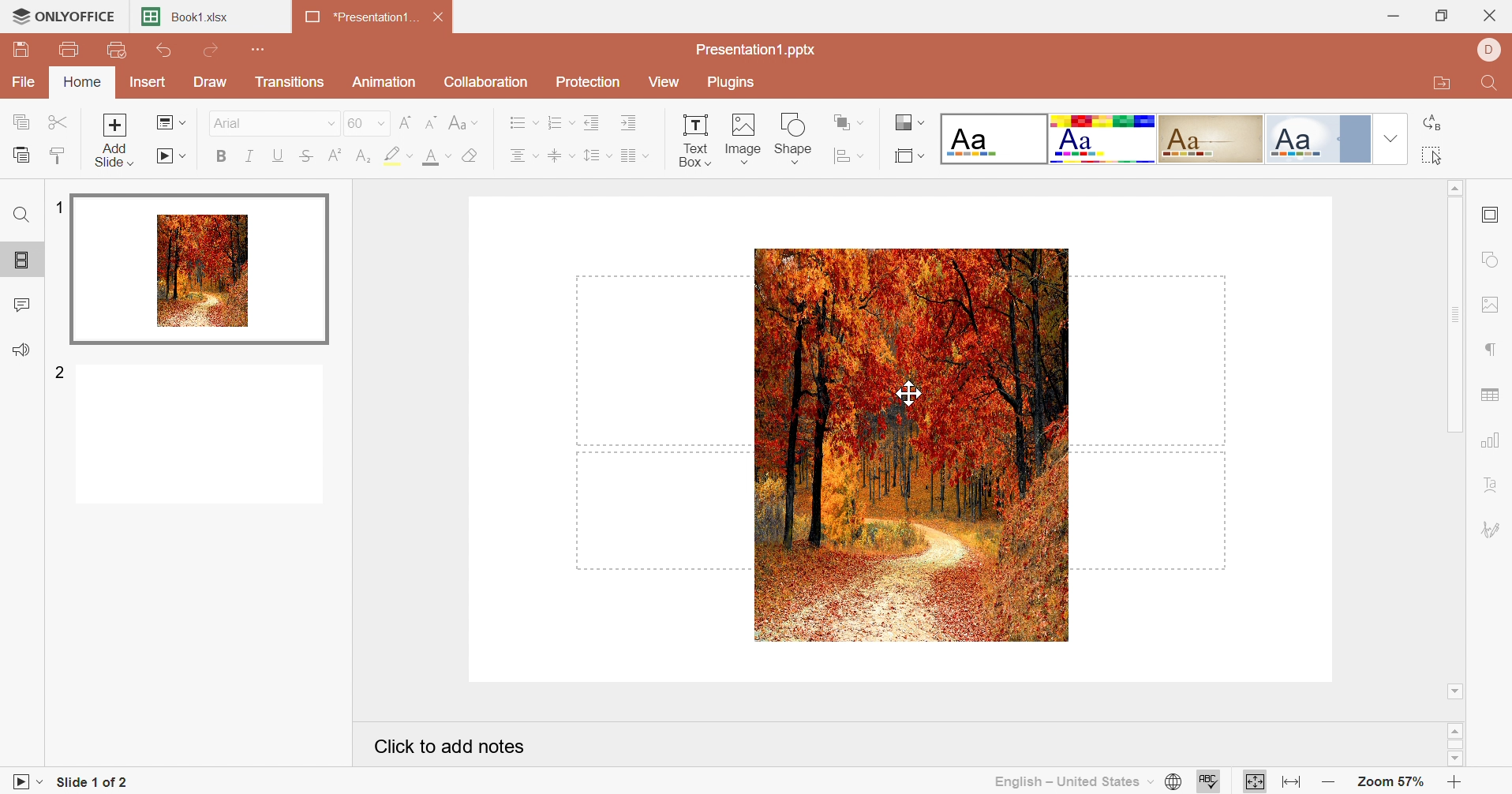 The image size is (1512, 794). Describe the element at coordinates (1072, 782) in the screenshot. I see `English - United States` at that location.